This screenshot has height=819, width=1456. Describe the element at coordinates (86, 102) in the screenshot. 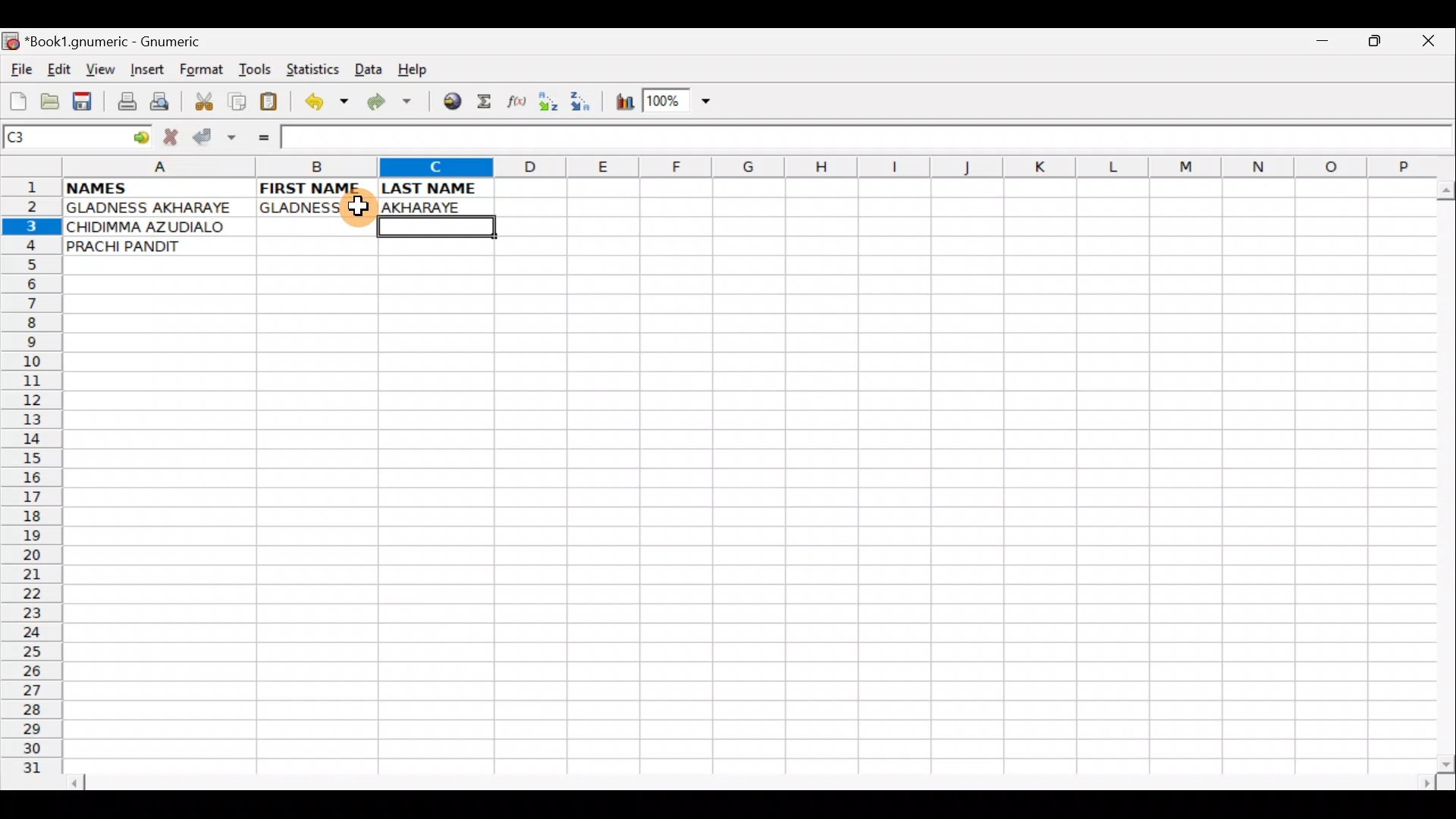

I see `Save current workbook` at that location.